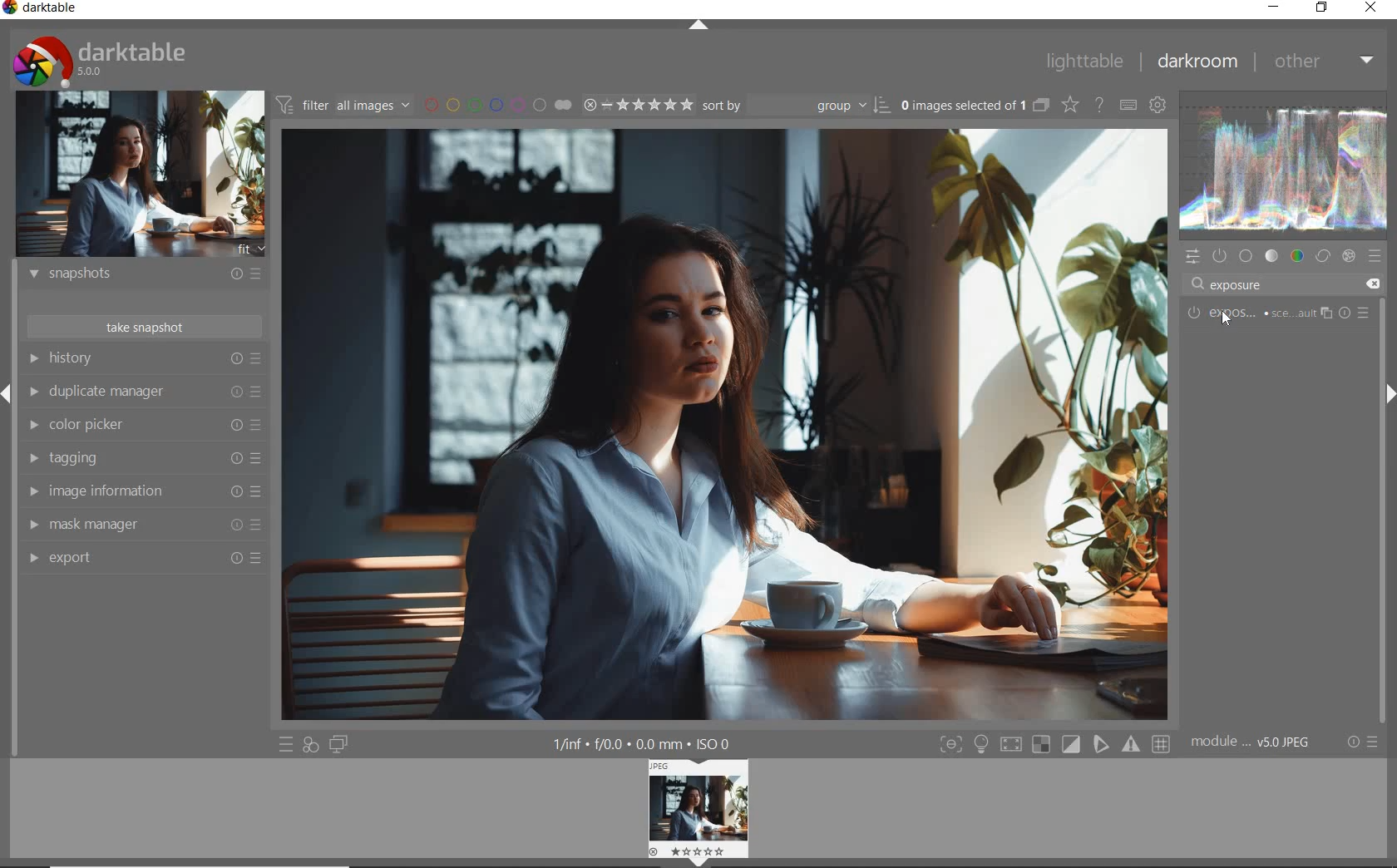 This screenshot has height=868, width=1397. What do you see at coordinates (1278, 313) in the screenshot?
I see `EXPOSURE` at bounding box center [1278, 313].